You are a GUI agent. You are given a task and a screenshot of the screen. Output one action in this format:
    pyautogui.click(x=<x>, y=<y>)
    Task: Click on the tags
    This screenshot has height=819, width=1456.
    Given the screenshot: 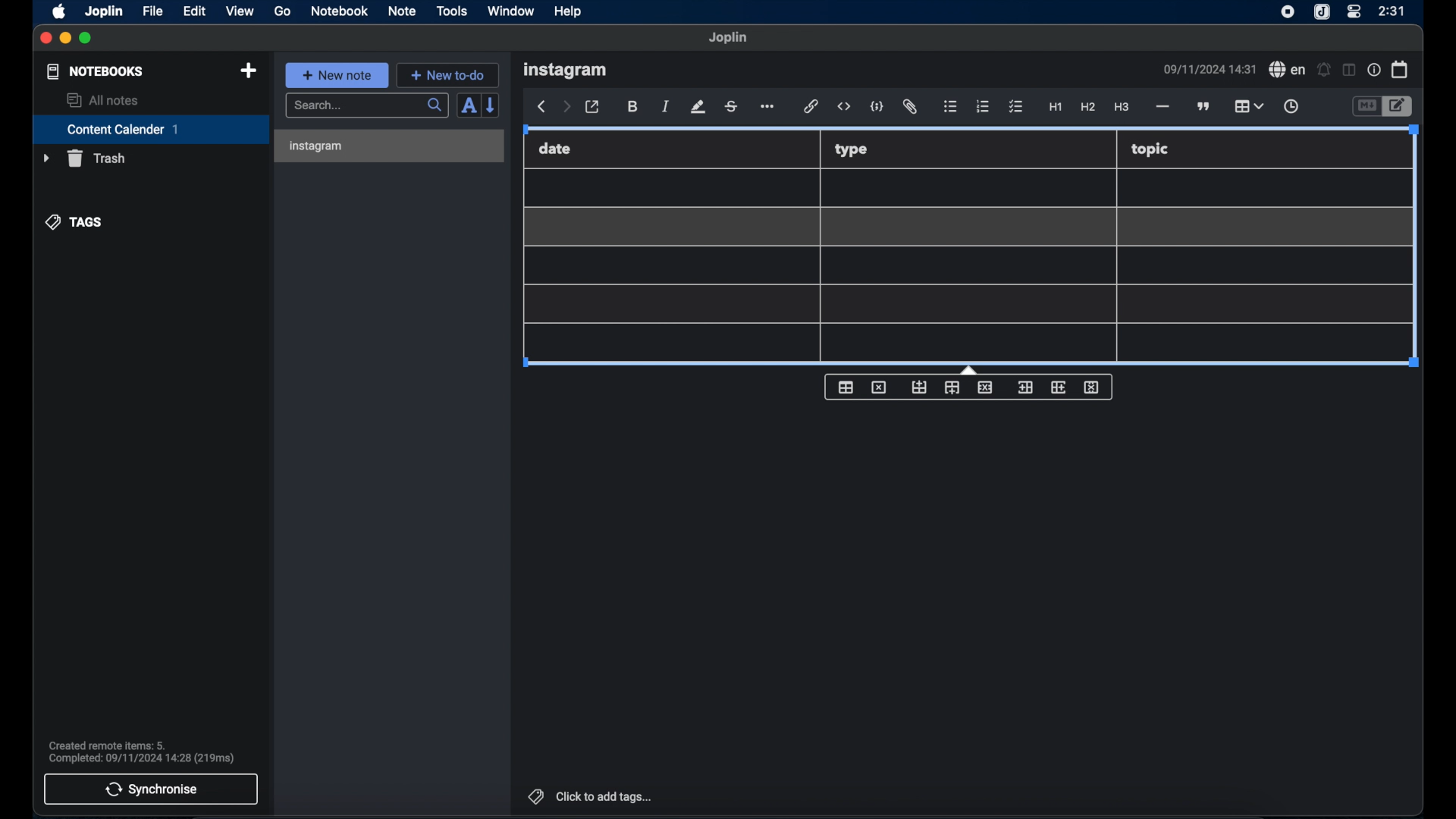 What is the action you would take?
    pyautogui.click(x=74, y=222)
    